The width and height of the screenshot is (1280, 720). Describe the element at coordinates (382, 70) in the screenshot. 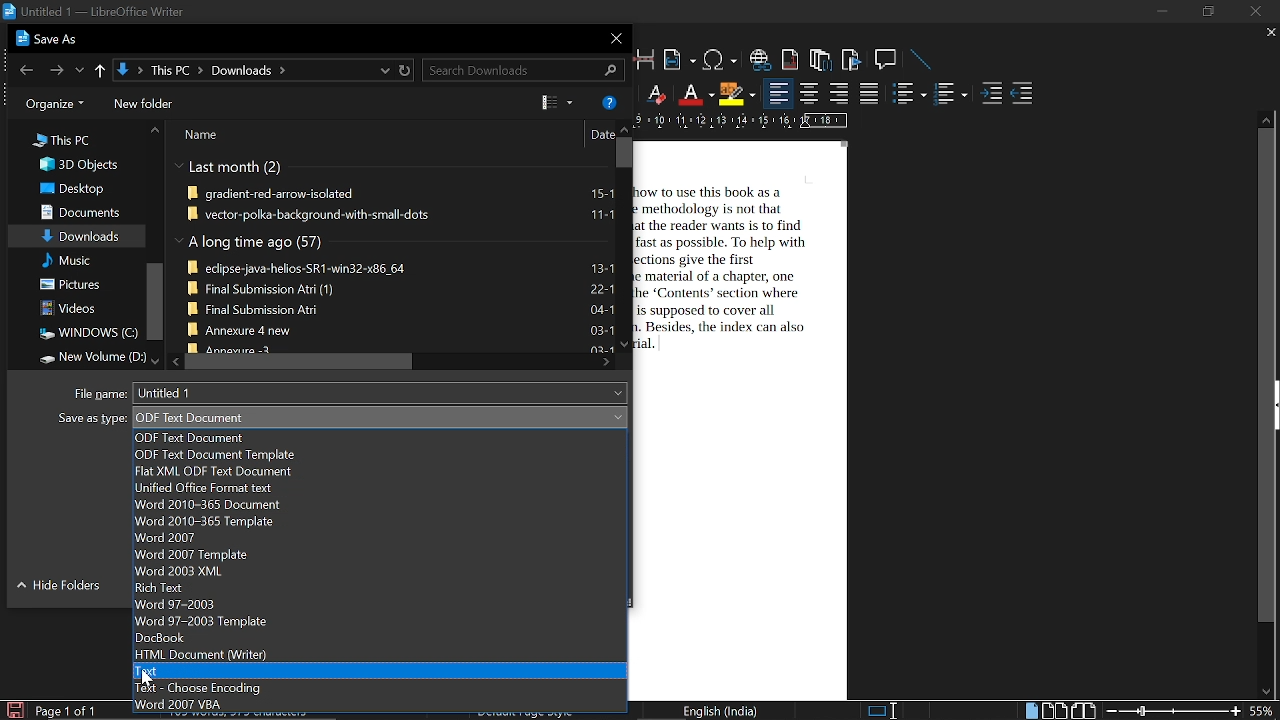

I see `recent location` at that location.